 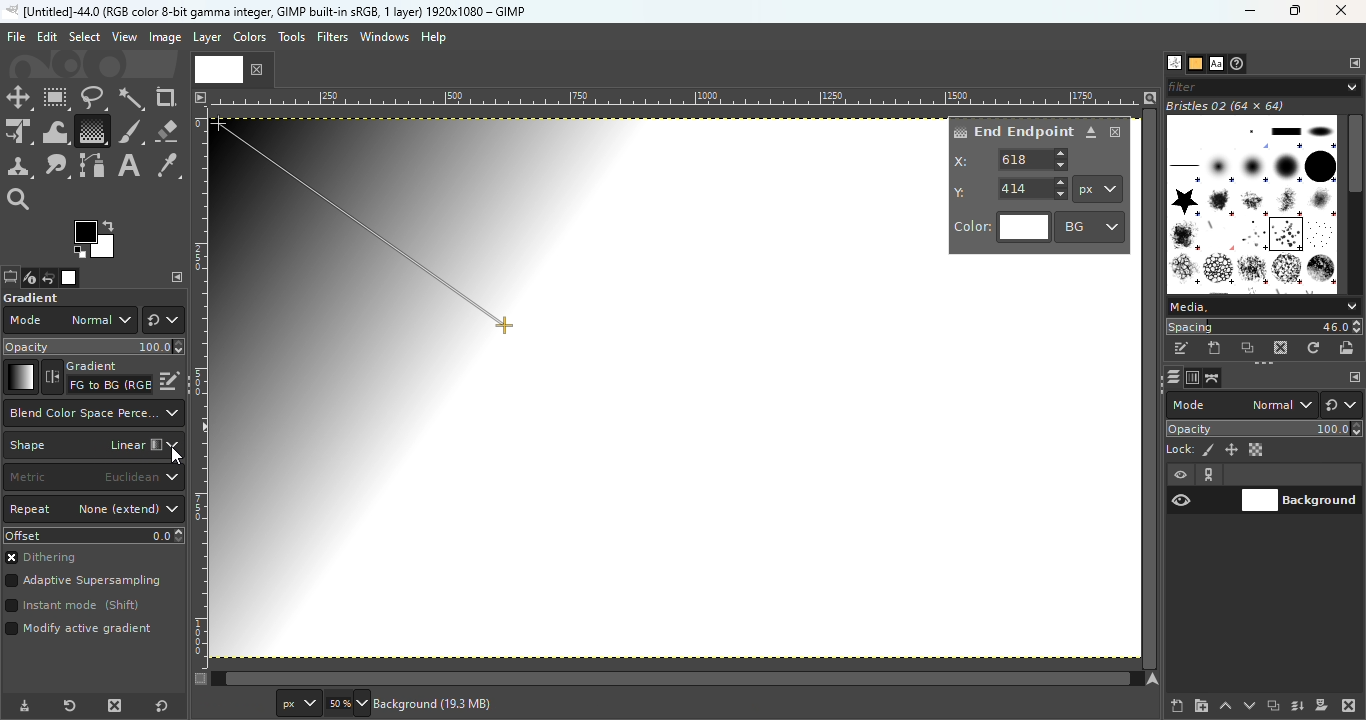 I want to click on Matric to the use for the distance calculation, so click(x=93, y=478).